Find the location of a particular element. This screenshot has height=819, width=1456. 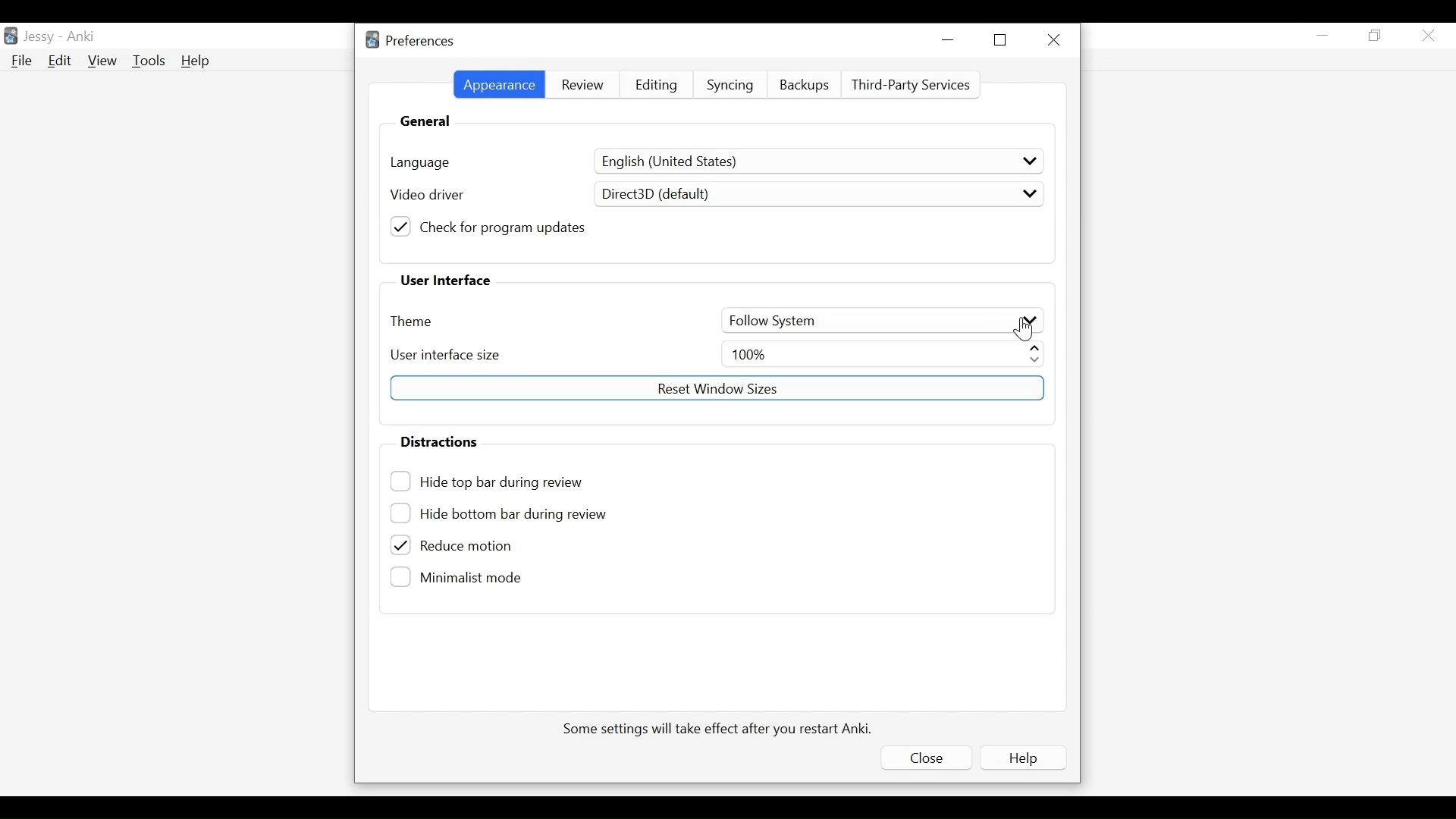

Syncing is located at coordinates (730, 87).